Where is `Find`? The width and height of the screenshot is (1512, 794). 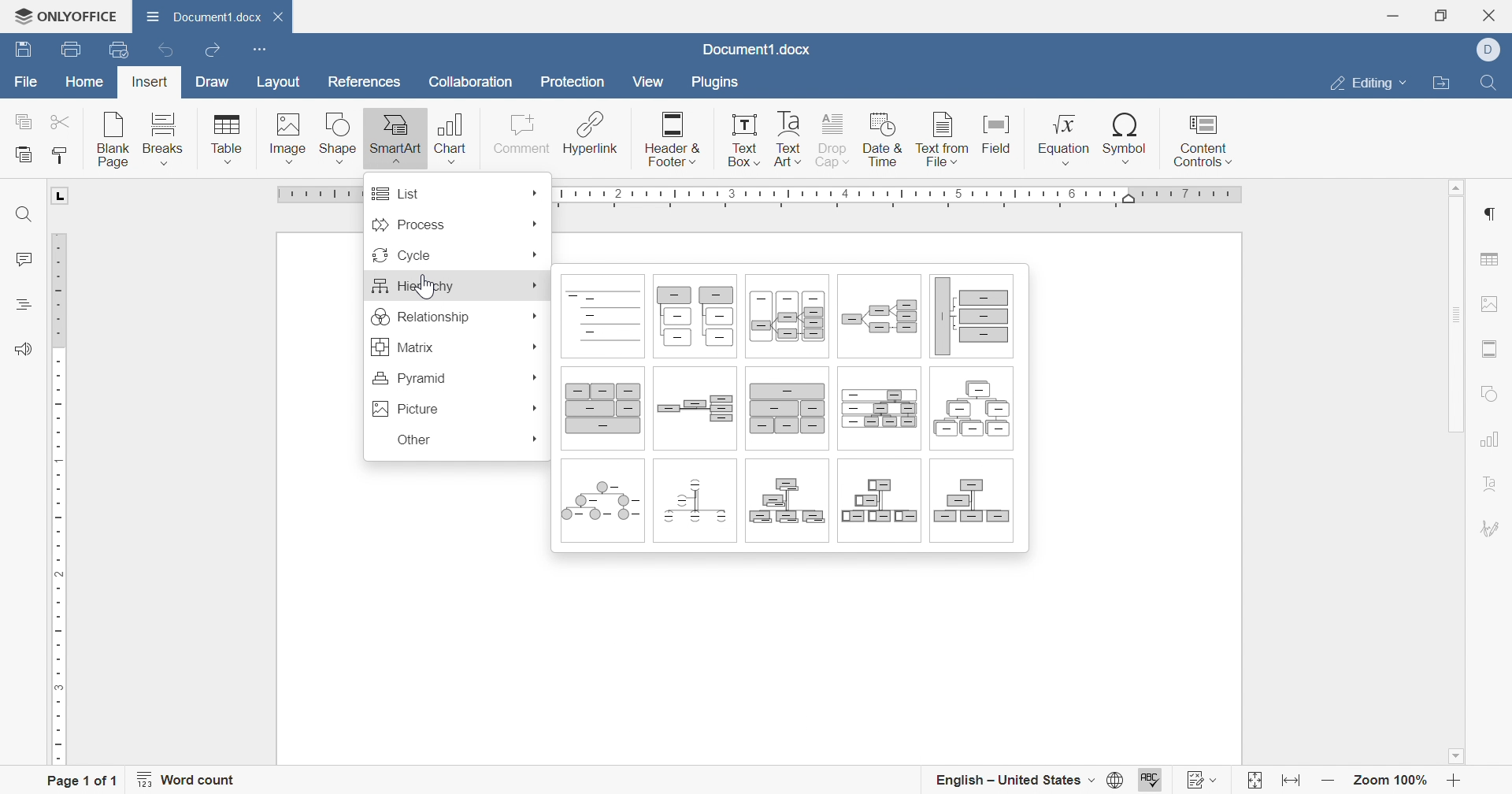
Find is located at coordinates (1492, 82).